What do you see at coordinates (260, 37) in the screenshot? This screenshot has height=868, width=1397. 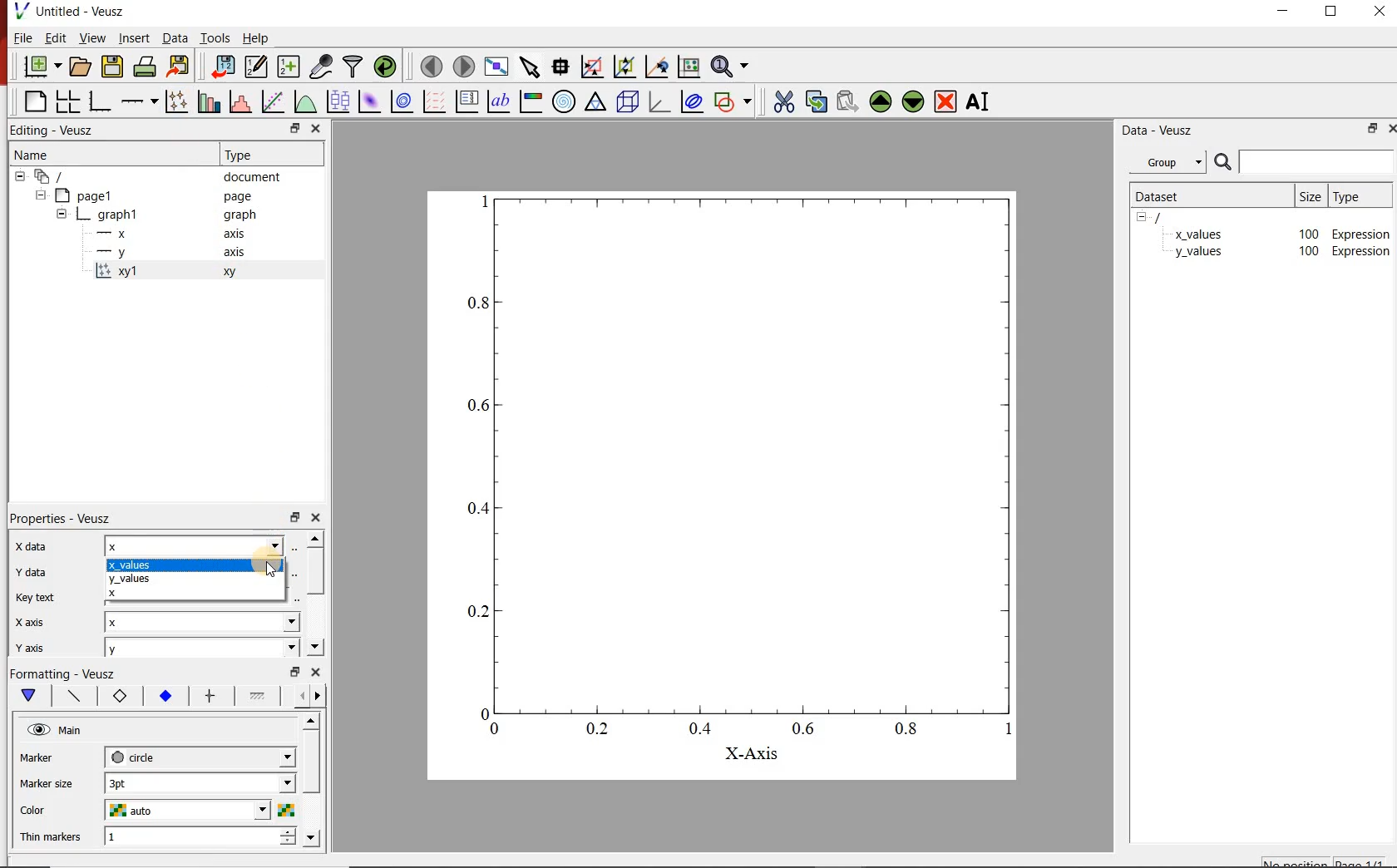 I see `help` at bounding box center [260, 37].